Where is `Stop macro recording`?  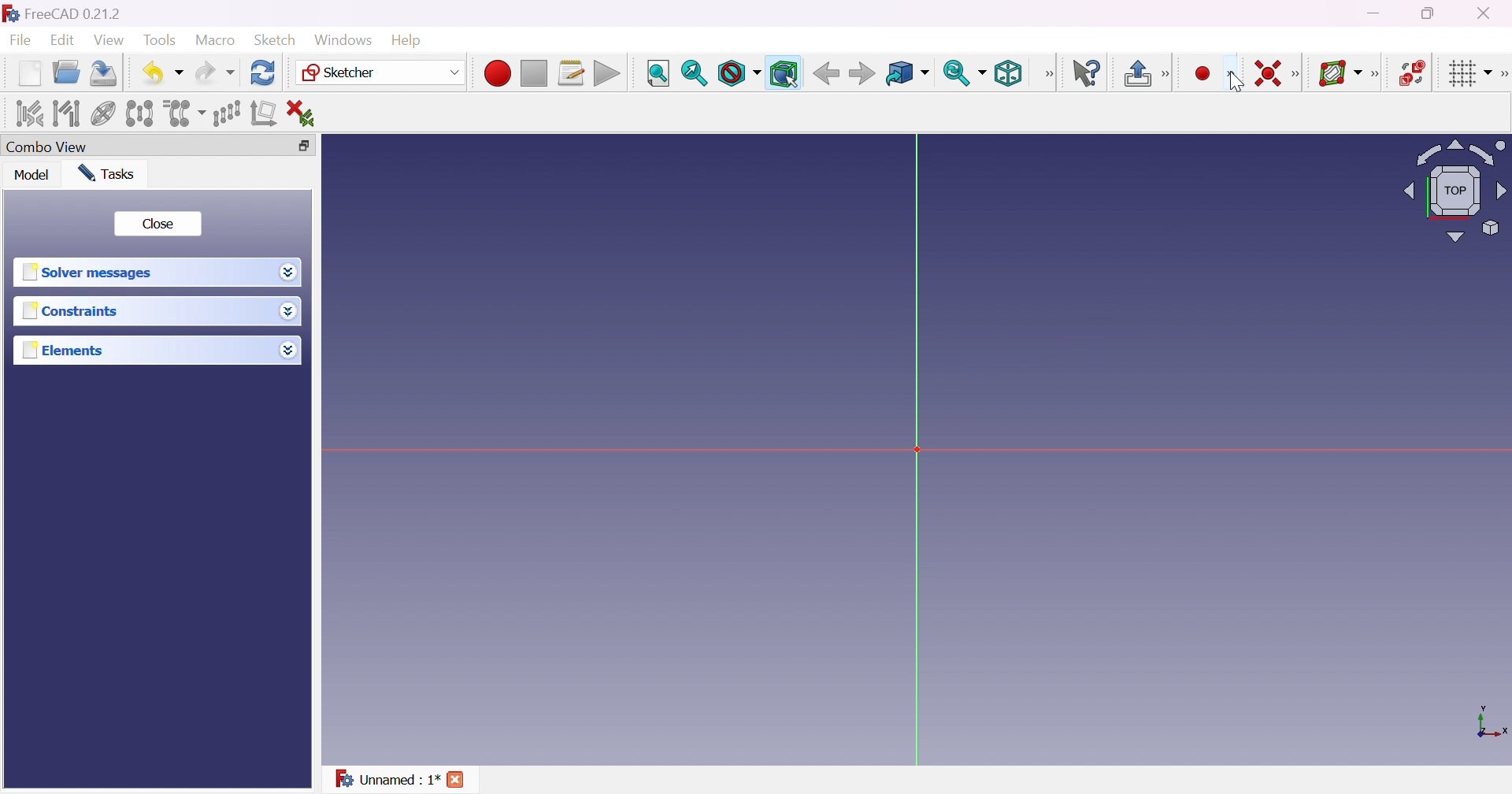
Stop macro recording is located at coordinates (532, 74).